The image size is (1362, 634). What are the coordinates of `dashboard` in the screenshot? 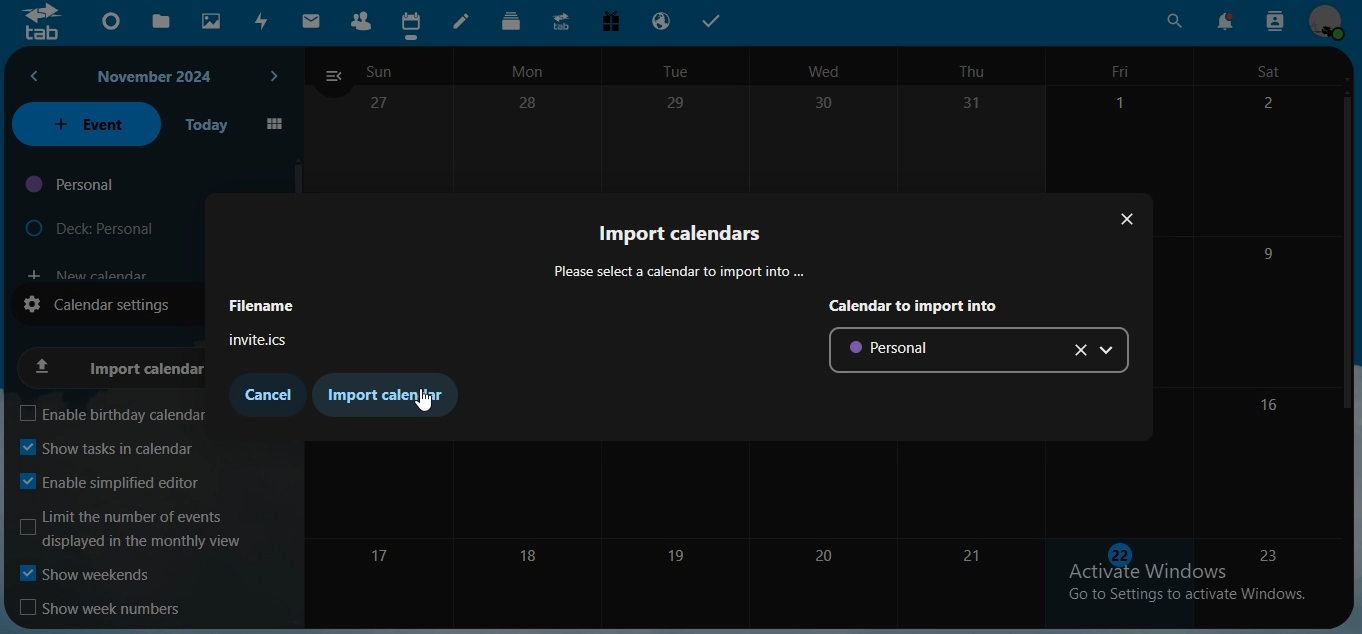 It's located at (115, 20).